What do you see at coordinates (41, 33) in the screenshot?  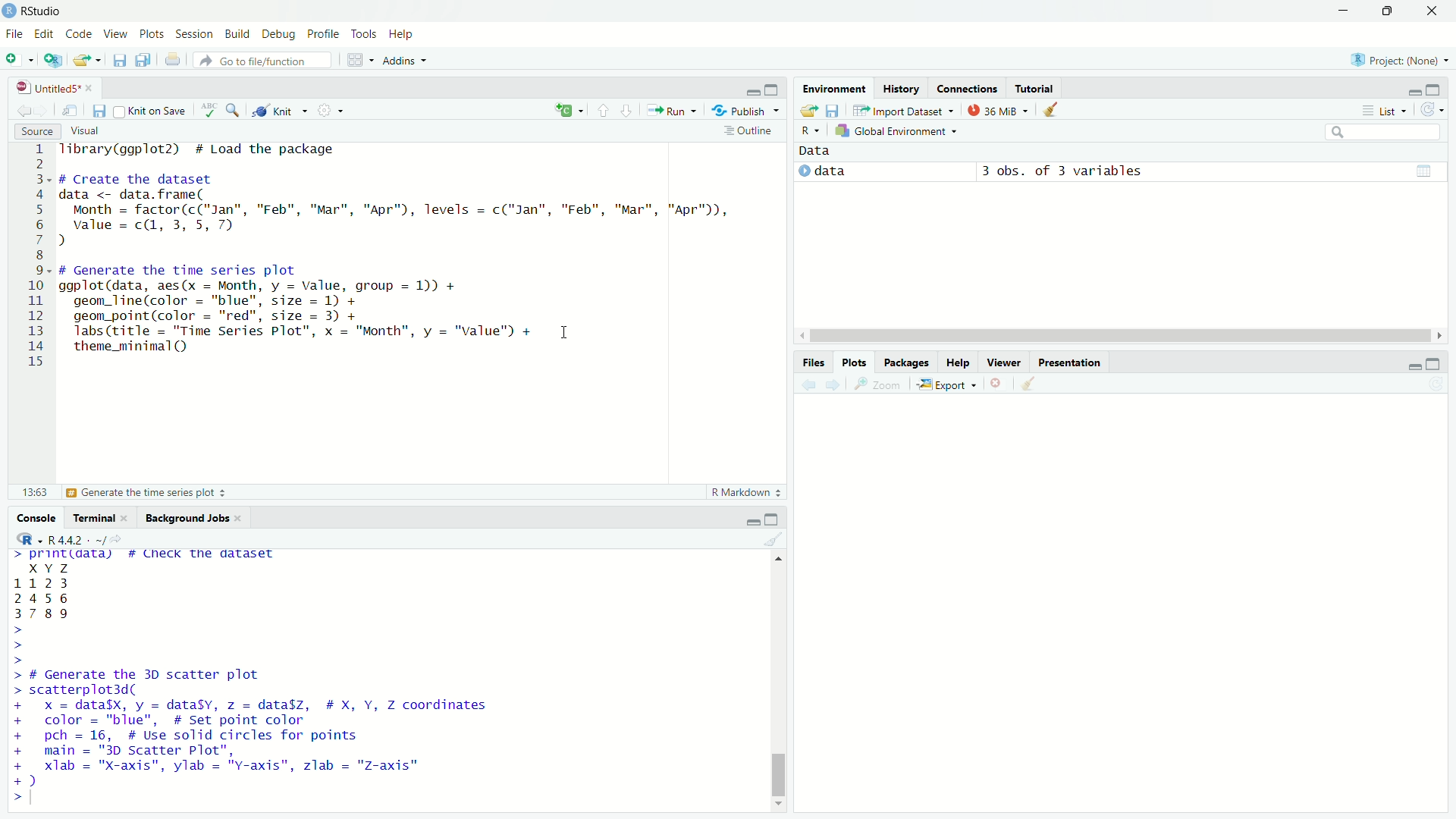 I see `Edit` at bounding box center [41, 33].